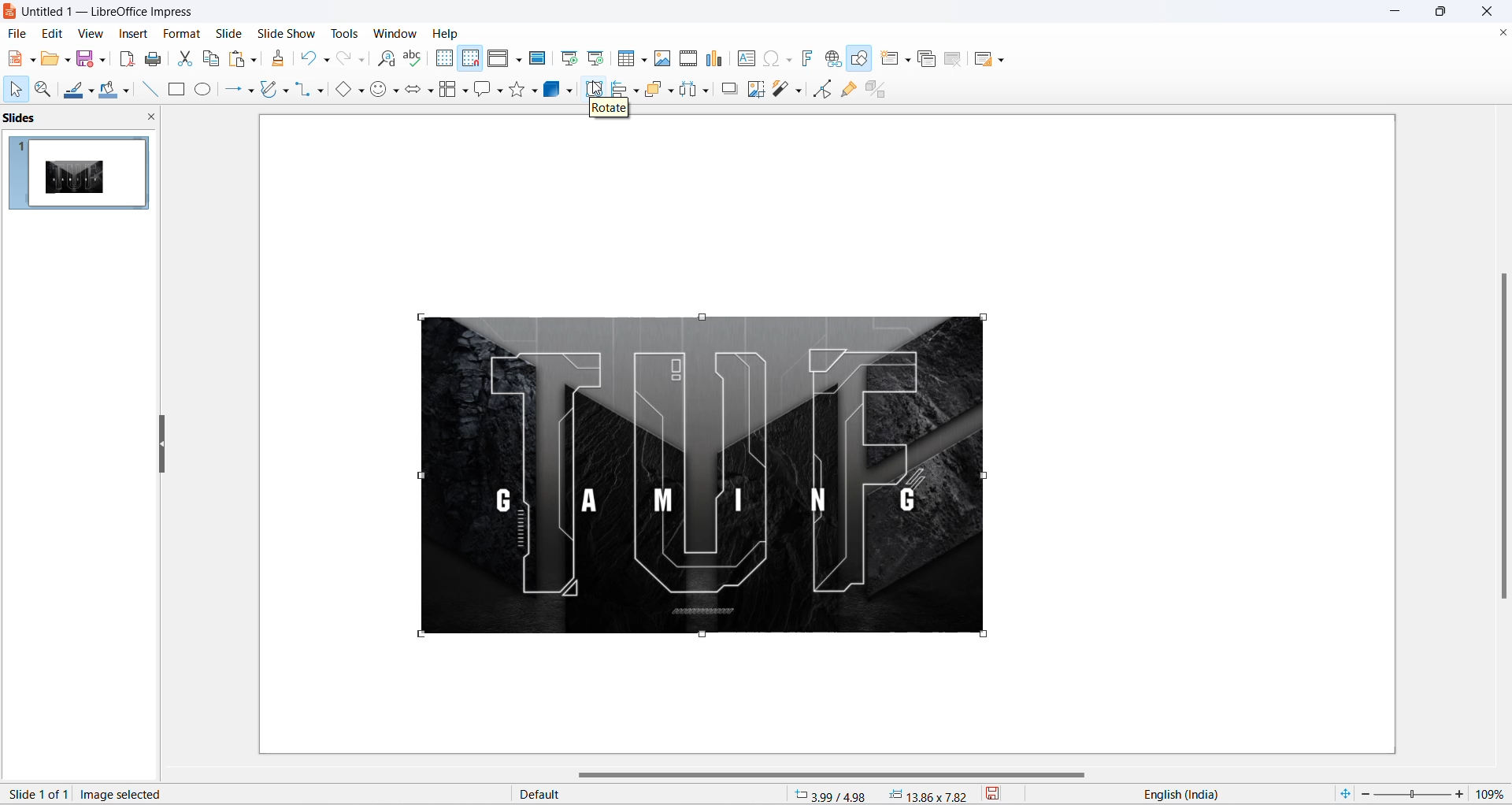 The image size is (1512, 805). I want to click on delete slide, so click(954, 61).